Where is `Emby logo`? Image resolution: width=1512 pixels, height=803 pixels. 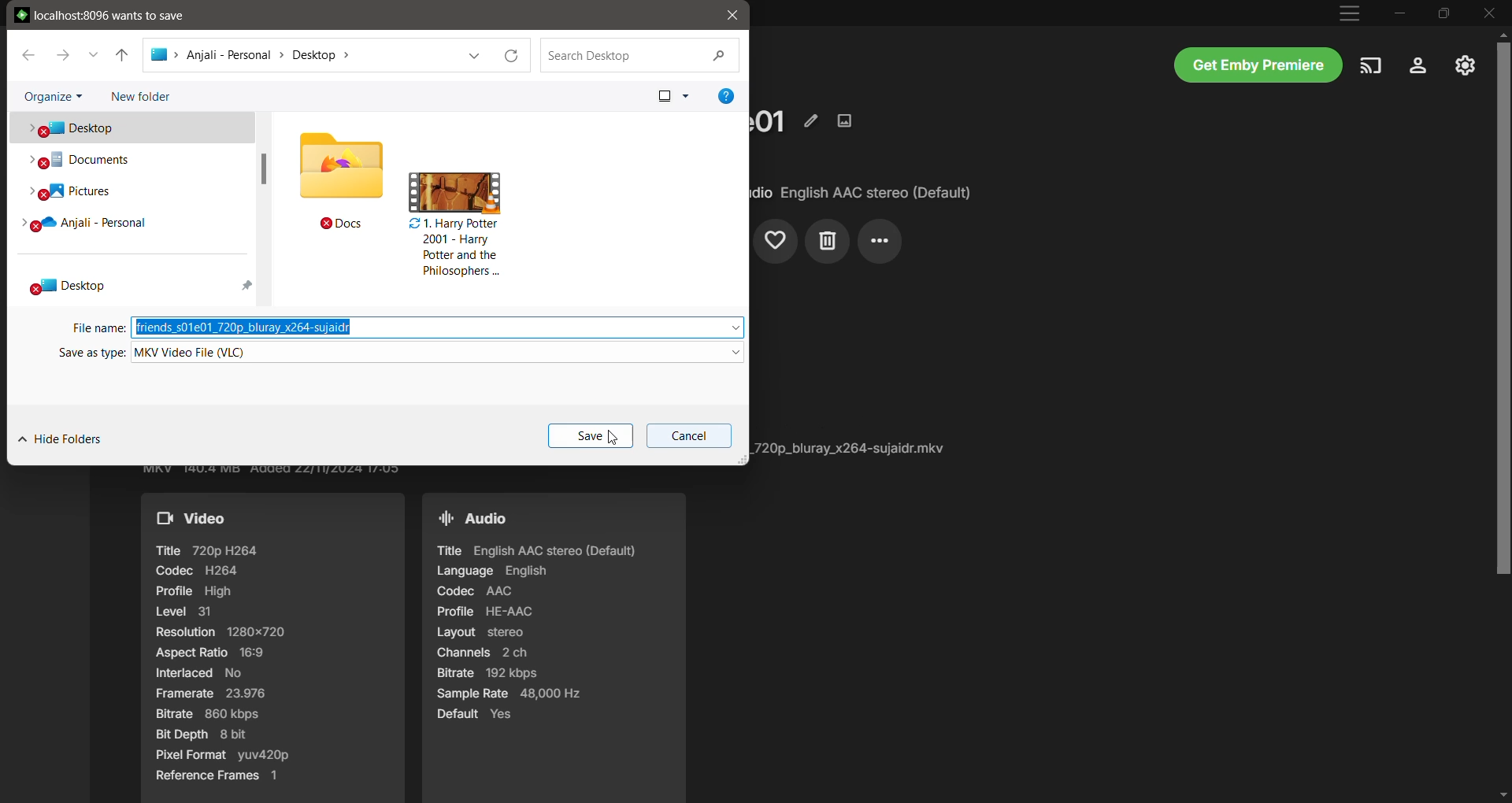 Emby logo is located at coordinates (22, 14).